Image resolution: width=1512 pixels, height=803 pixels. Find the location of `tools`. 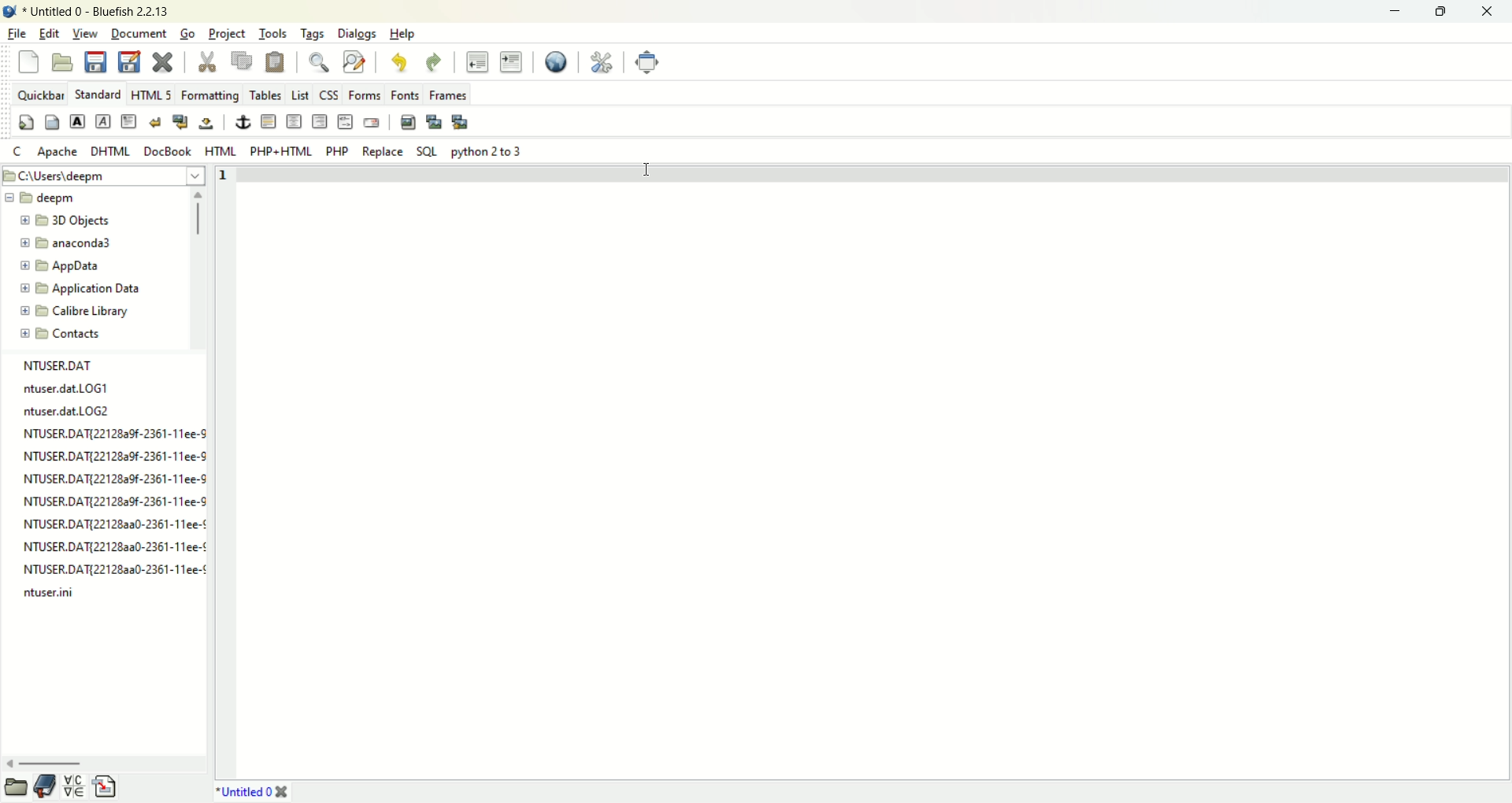

tools is located at coordinates (272, 32).